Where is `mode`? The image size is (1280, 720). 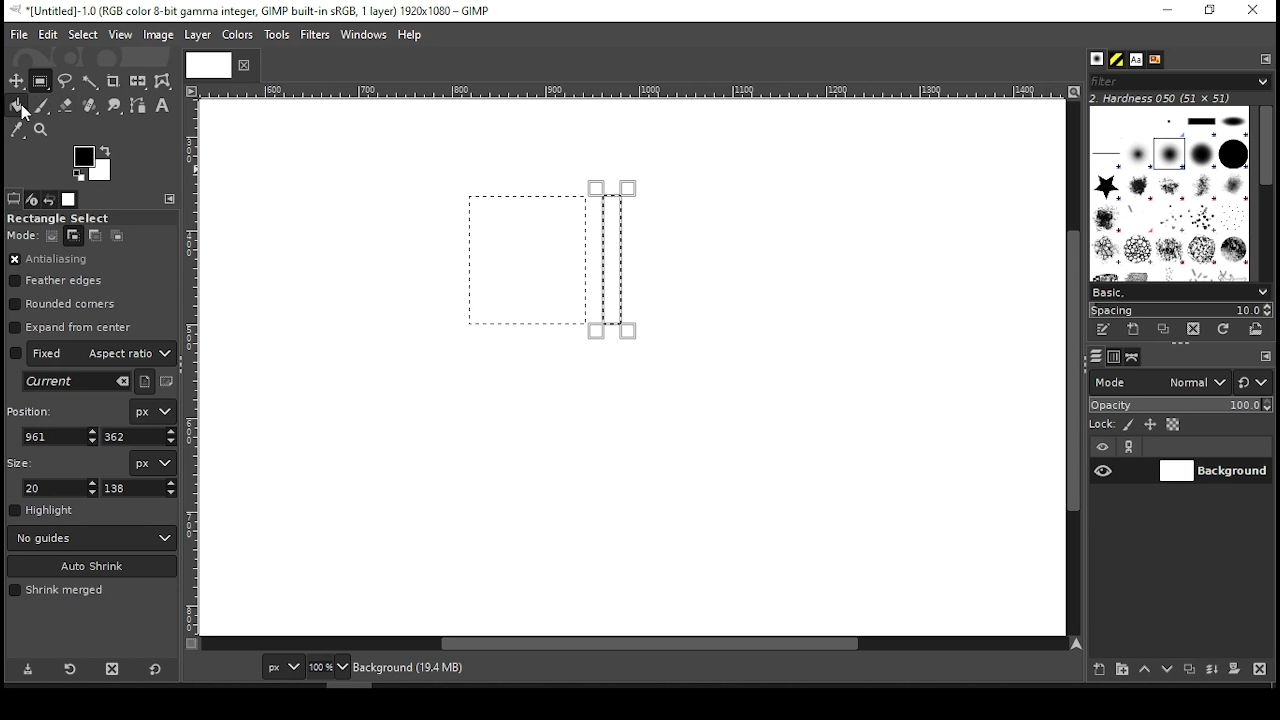
mode is located at coordinates (1159, 384).